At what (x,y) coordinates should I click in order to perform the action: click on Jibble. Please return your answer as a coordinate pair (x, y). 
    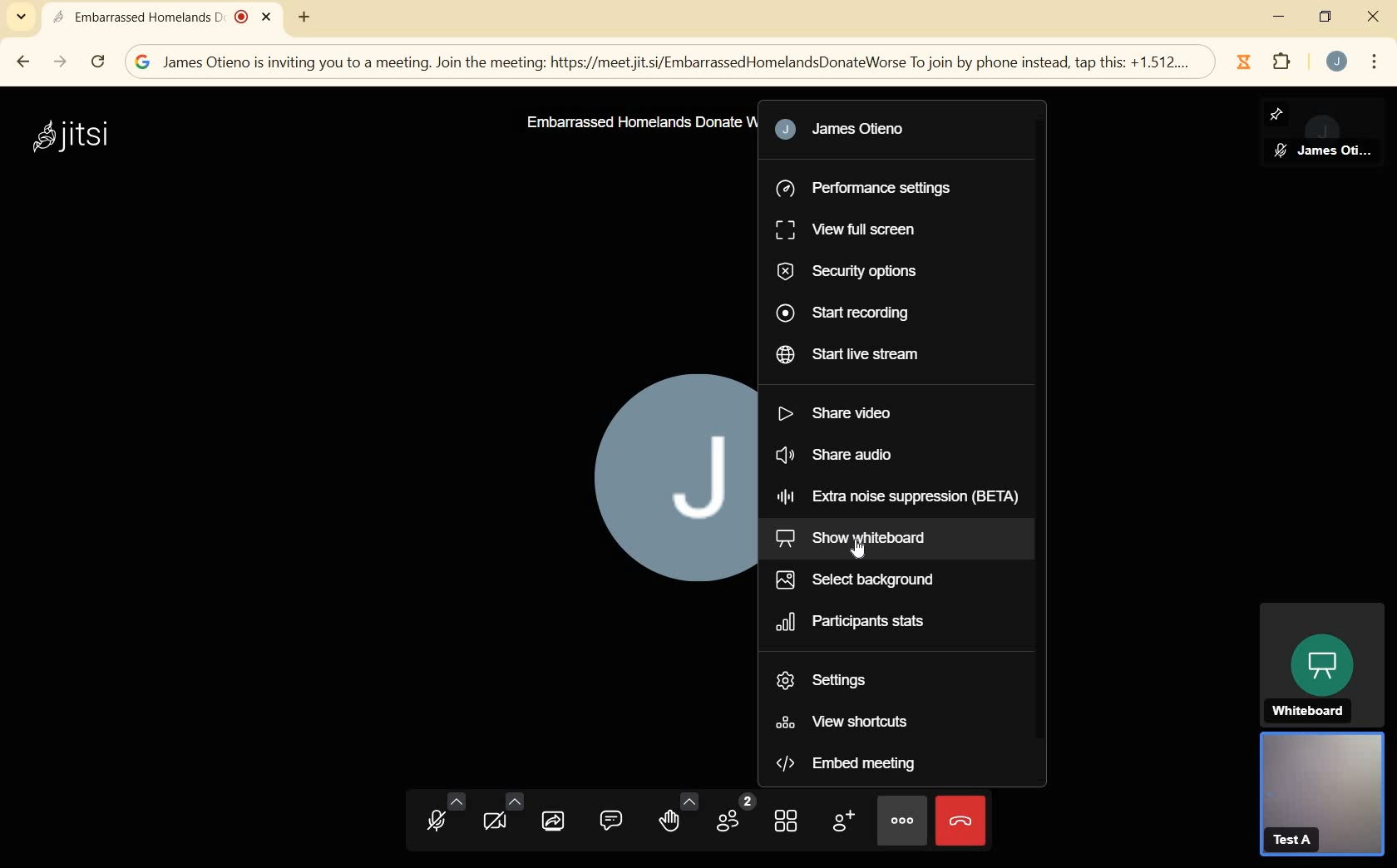
    Looking at the image, I should click on (1242, 60).